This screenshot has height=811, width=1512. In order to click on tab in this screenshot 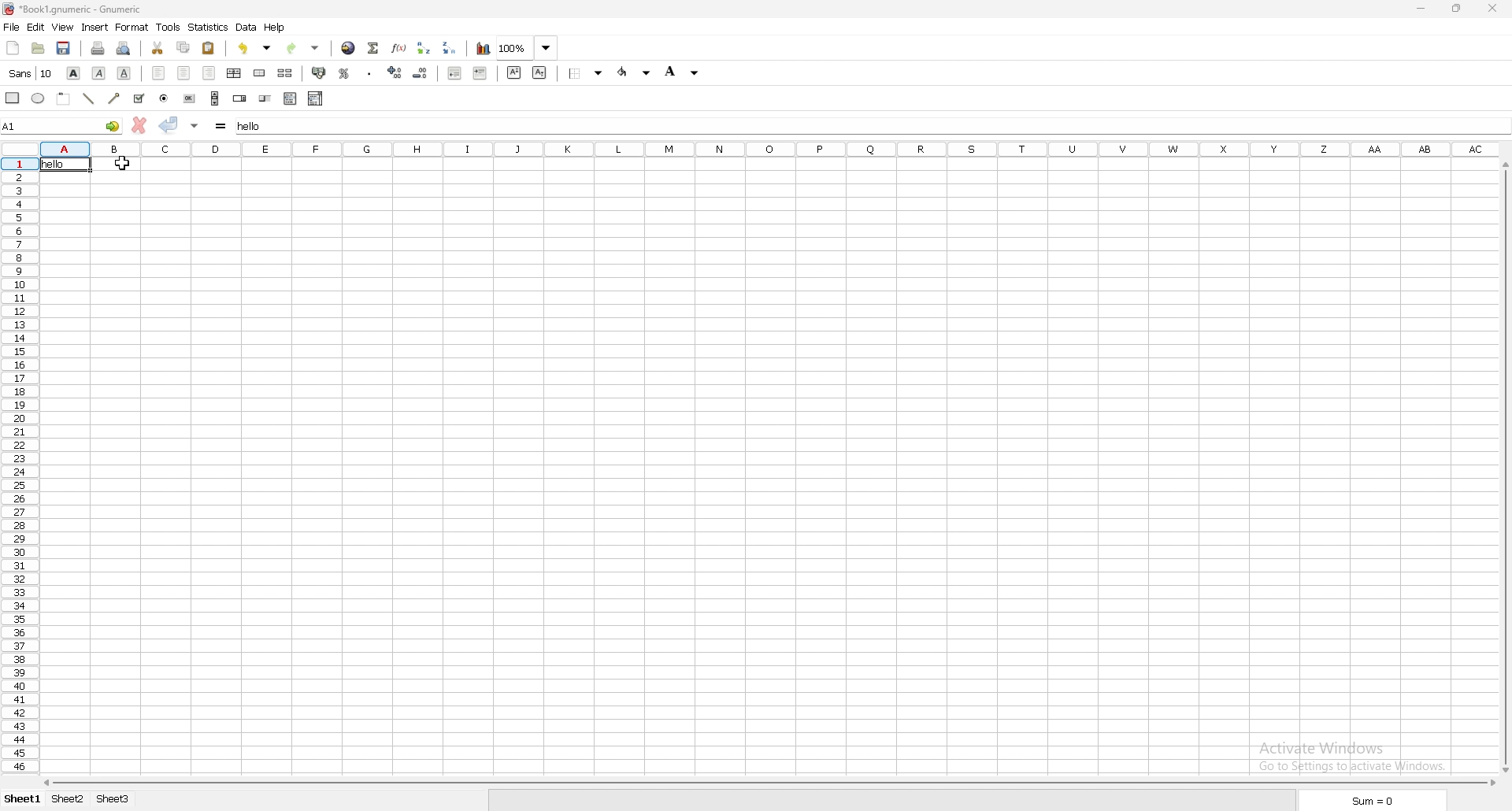, I will do `click(67, 800)`.